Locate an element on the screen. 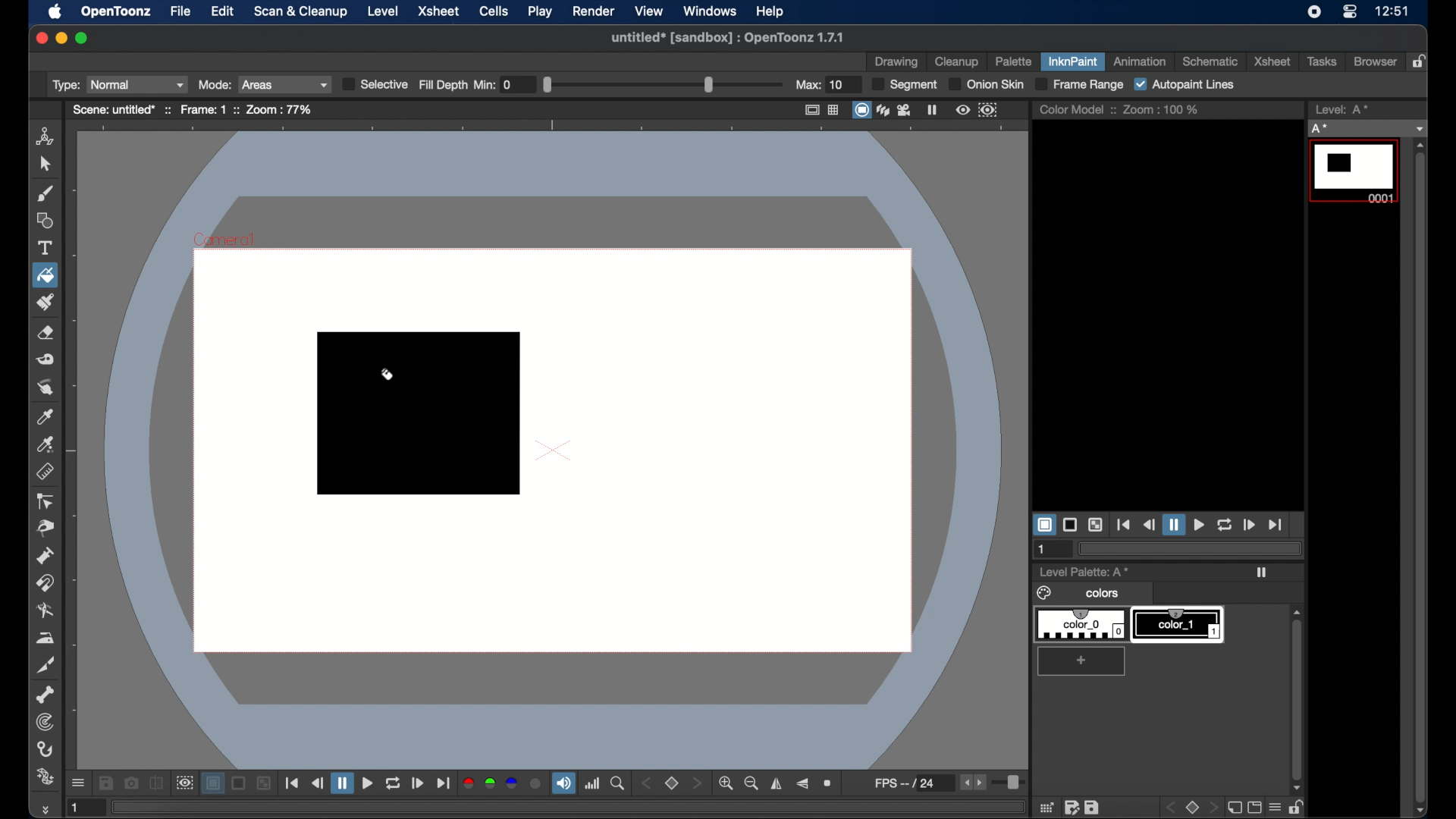 Image resolution: width=1456 pixels, height=819 pixels. checkered background is located at coordinates (263, 783).